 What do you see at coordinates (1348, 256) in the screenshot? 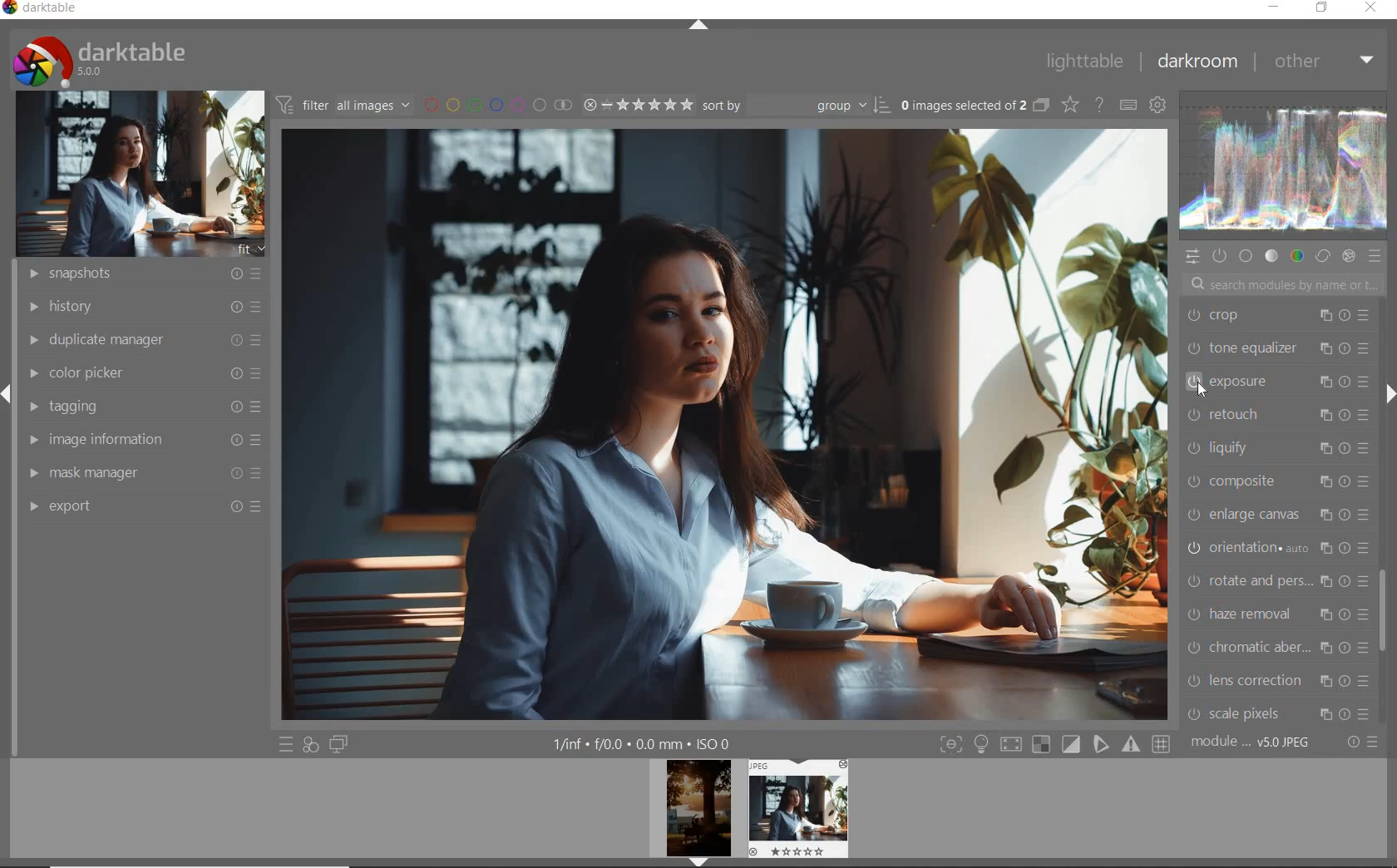
I see `EFFECT` at bounding box center [1348, 256].